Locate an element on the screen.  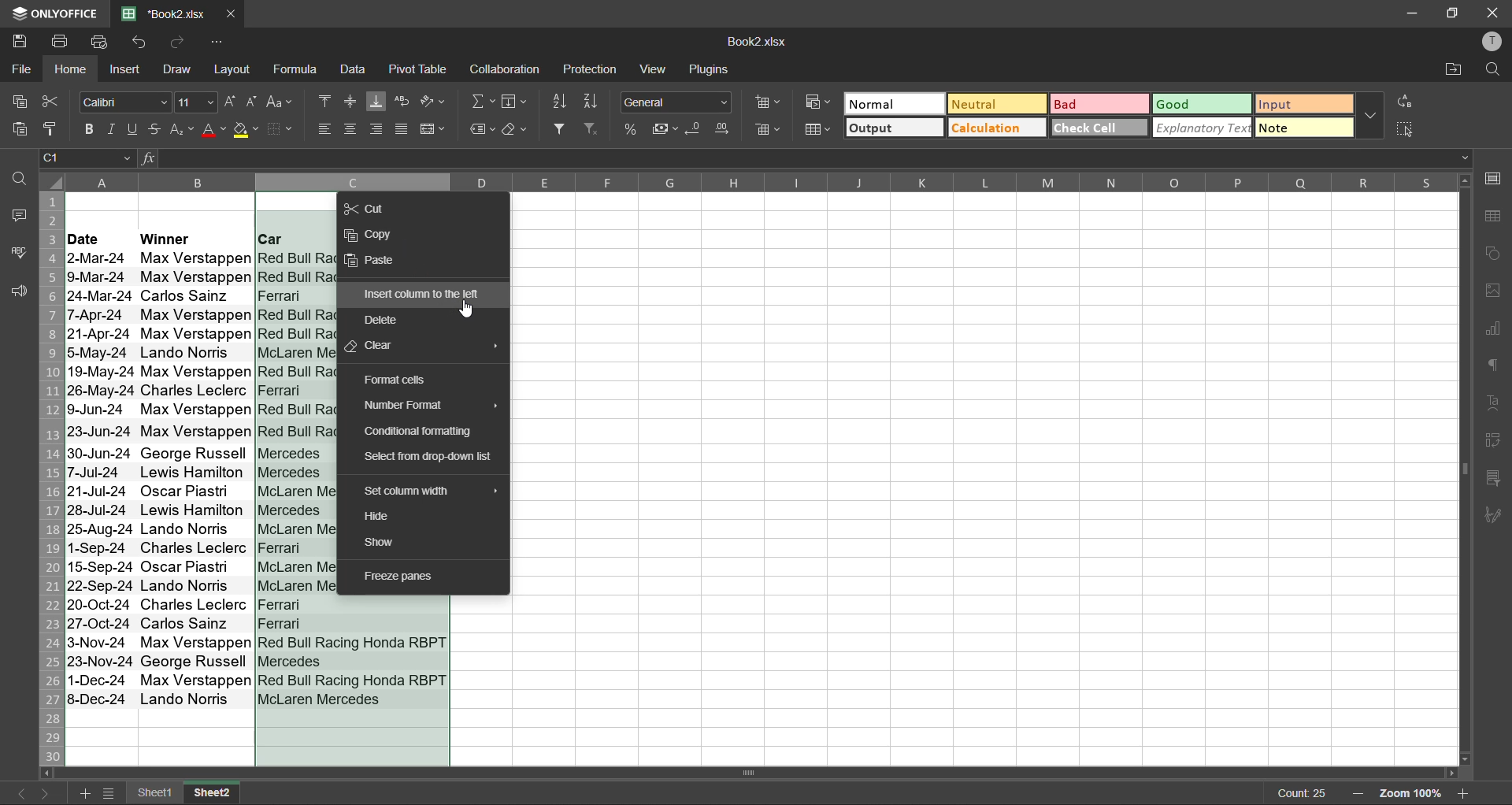
rerrarl

Ferrari

Red Bull Racing Honda RBPT
Mercedes

Red Bull Racing Honda RBPT
McLaren Mercedes is located at coordinates (354, 653).